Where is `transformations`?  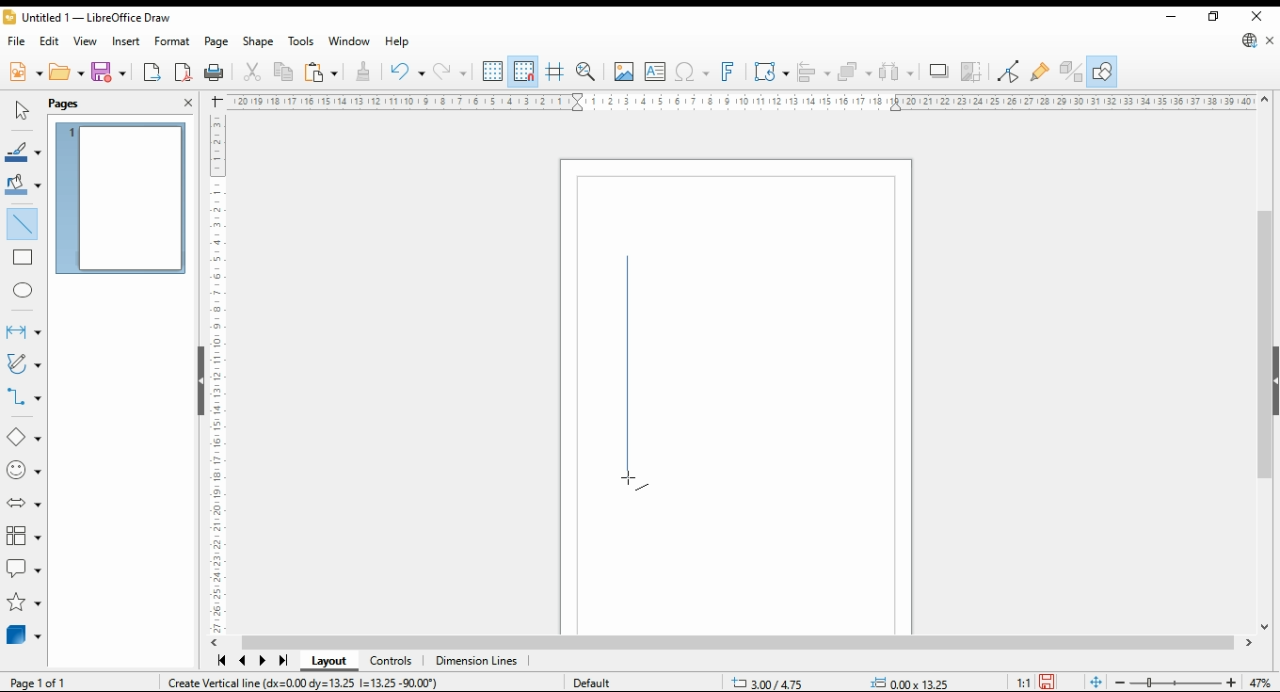
transformations is located at coordinates (772, 72).